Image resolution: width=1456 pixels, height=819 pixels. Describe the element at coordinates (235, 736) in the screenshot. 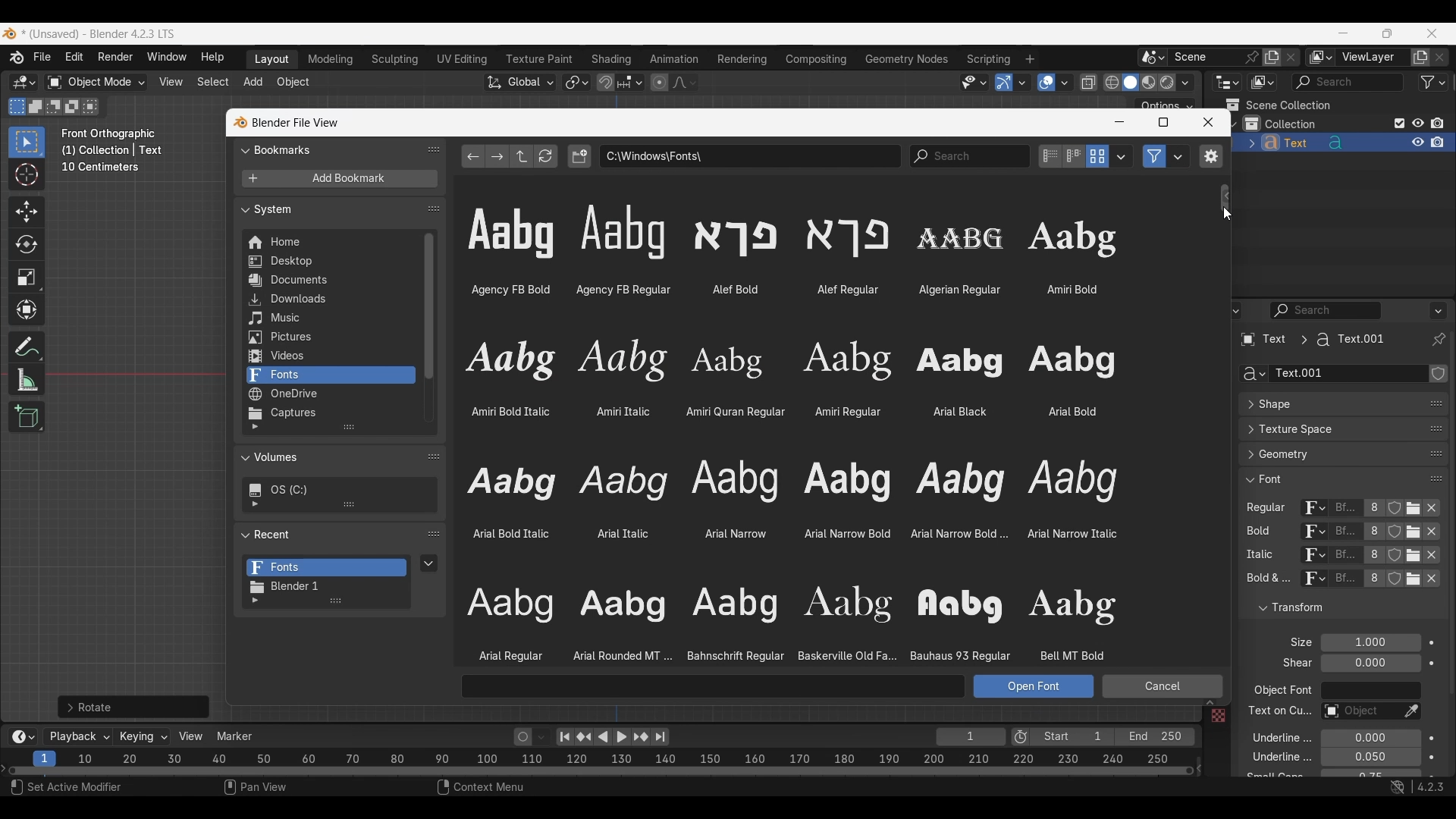

I see `Marker` at that location.